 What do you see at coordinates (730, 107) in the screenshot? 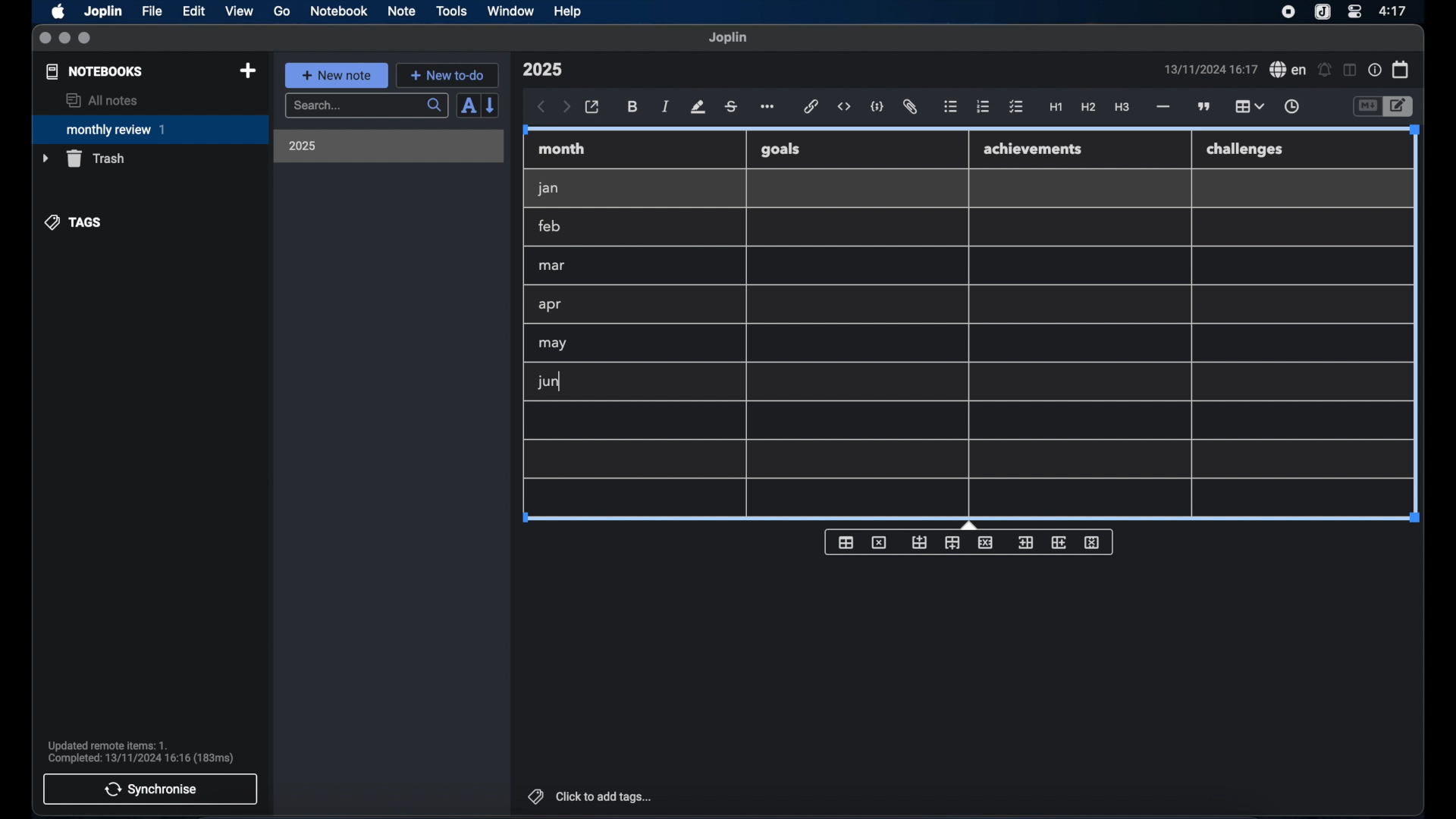
I see `strikethrough` at bounding box center [730, 107].